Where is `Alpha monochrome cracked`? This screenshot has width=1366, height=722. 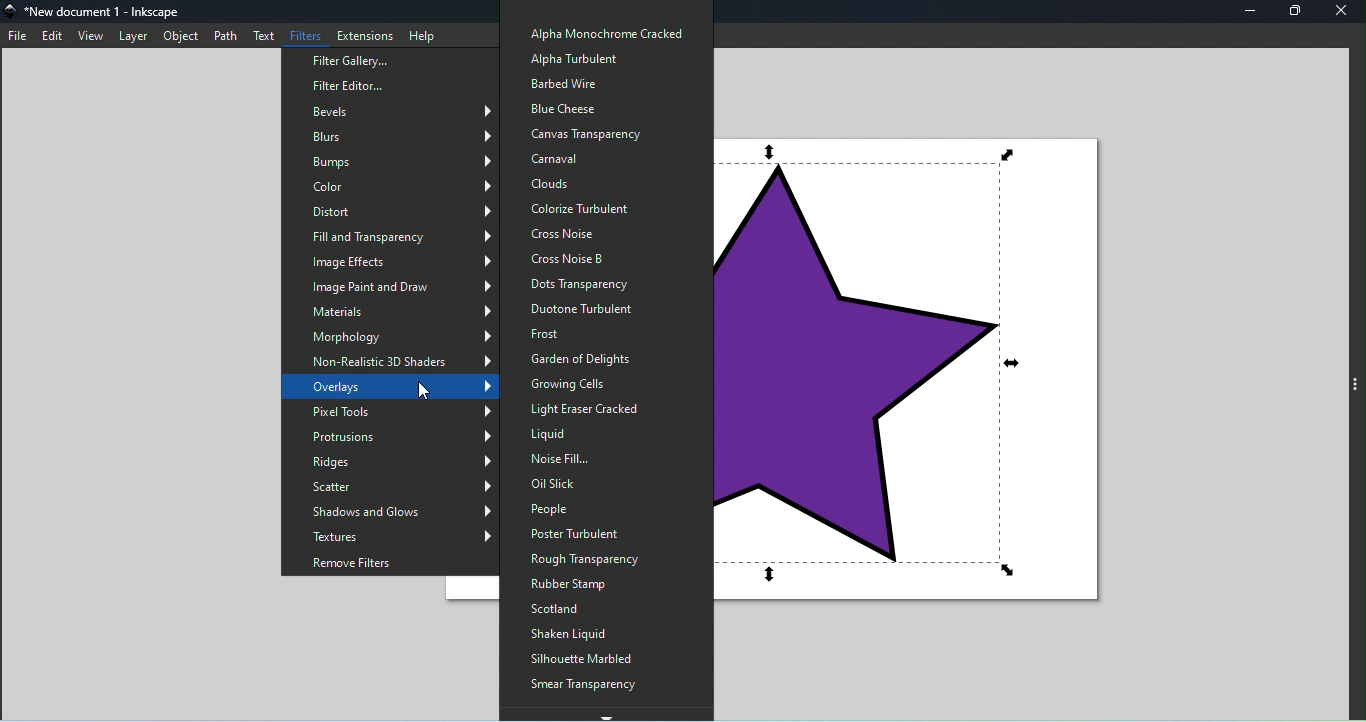 Alpha monochrome cracked is located at coordinates (603, 32).